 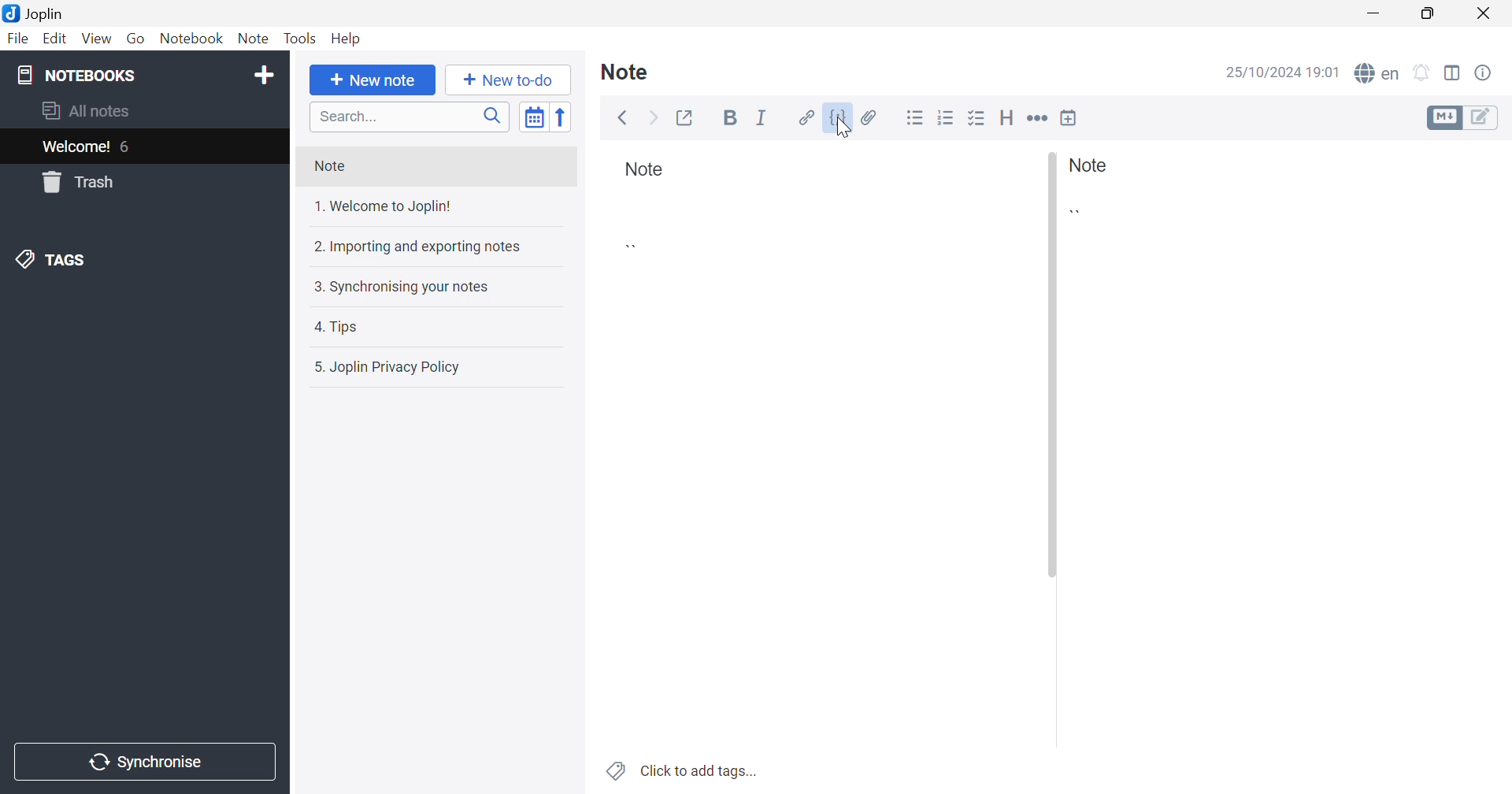 What do you see at coordinates (1380, 73) in the screenshot?
I see `Spell checker` at bounding box center [1380, 73].